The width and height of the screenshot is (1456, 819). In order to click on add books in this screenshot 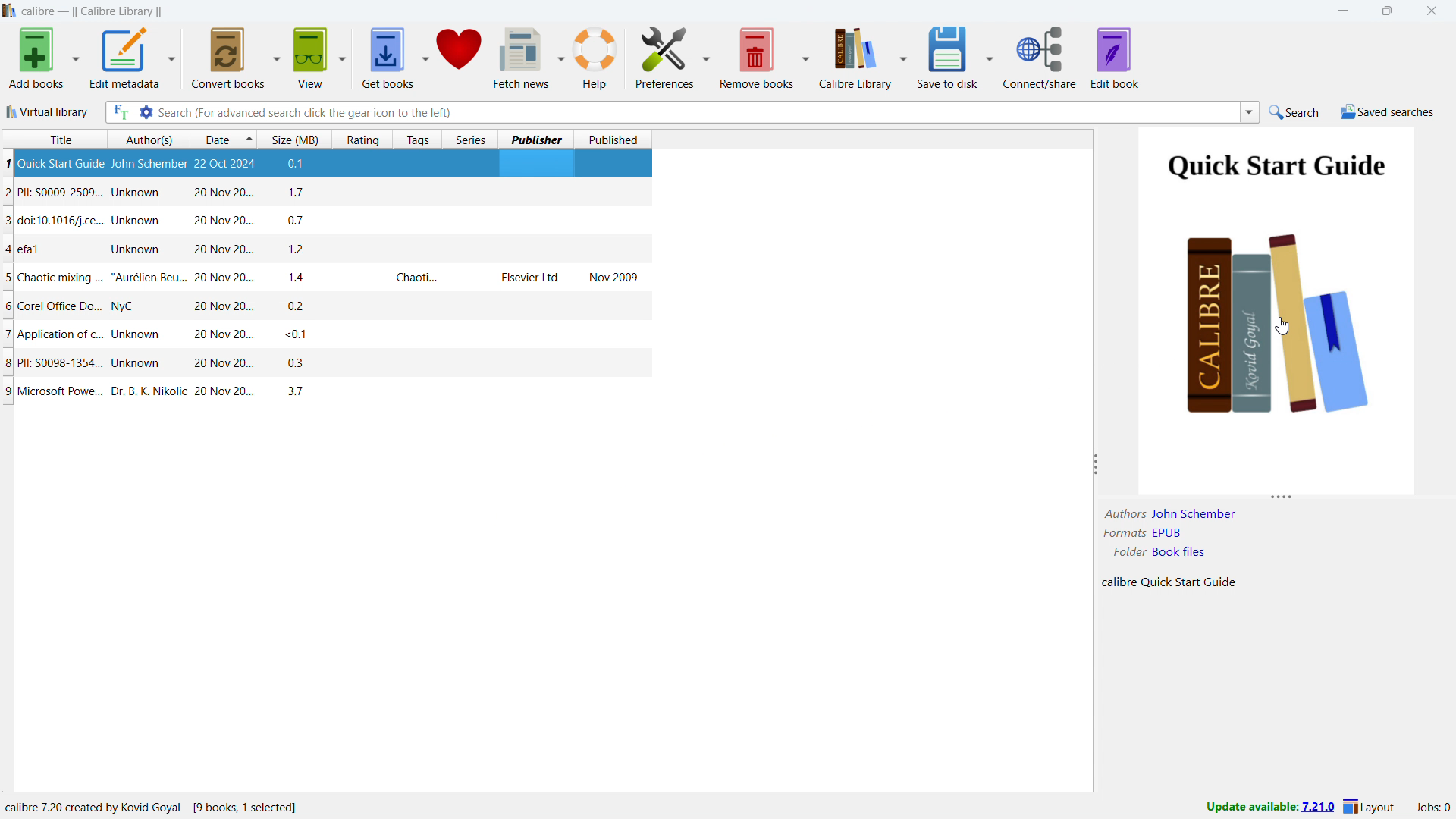, I will do `click(33, 58)`.